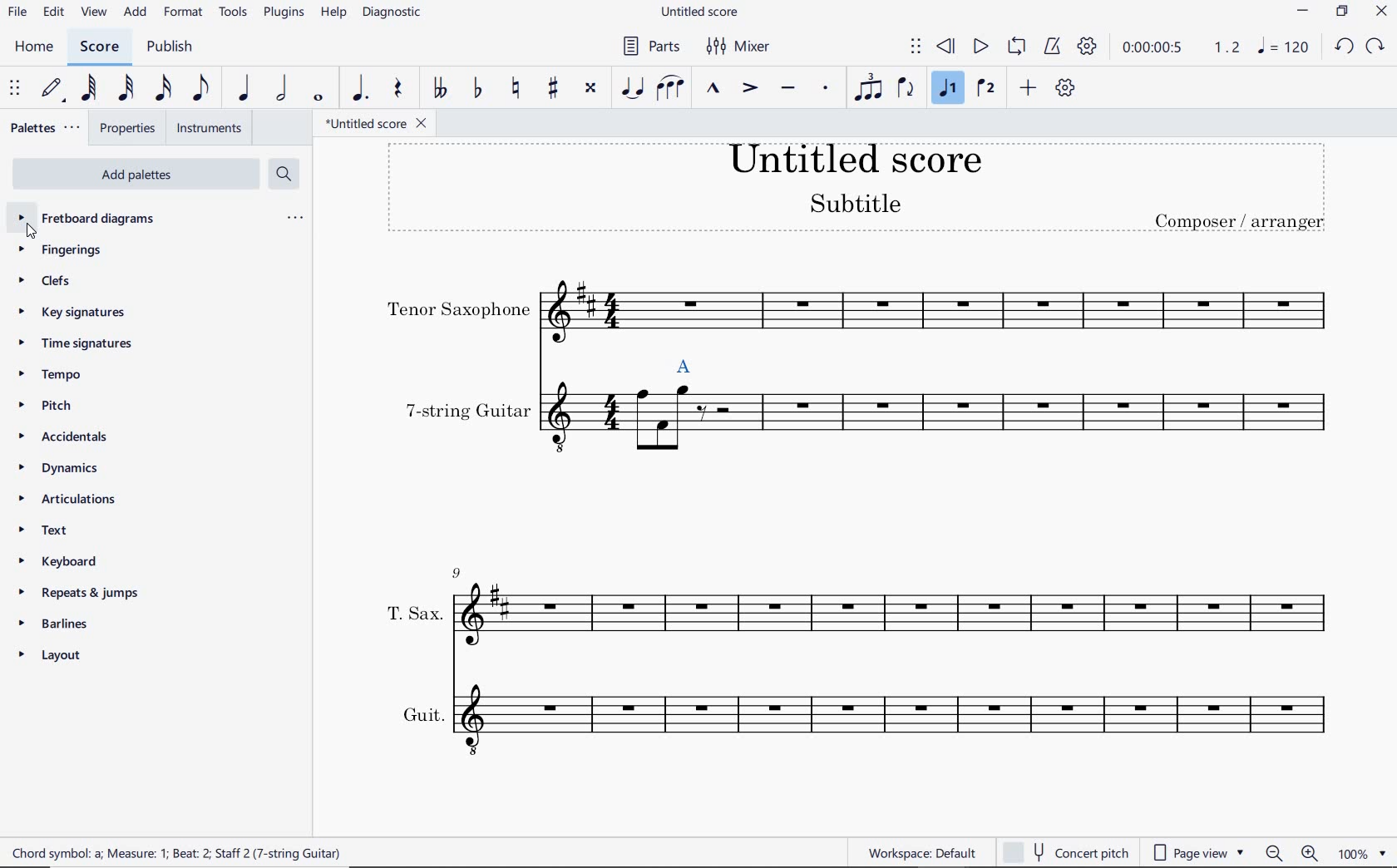 The height and width of the screenshot is (868, 1397). I want to click on PALETTES, so click(44, 128).